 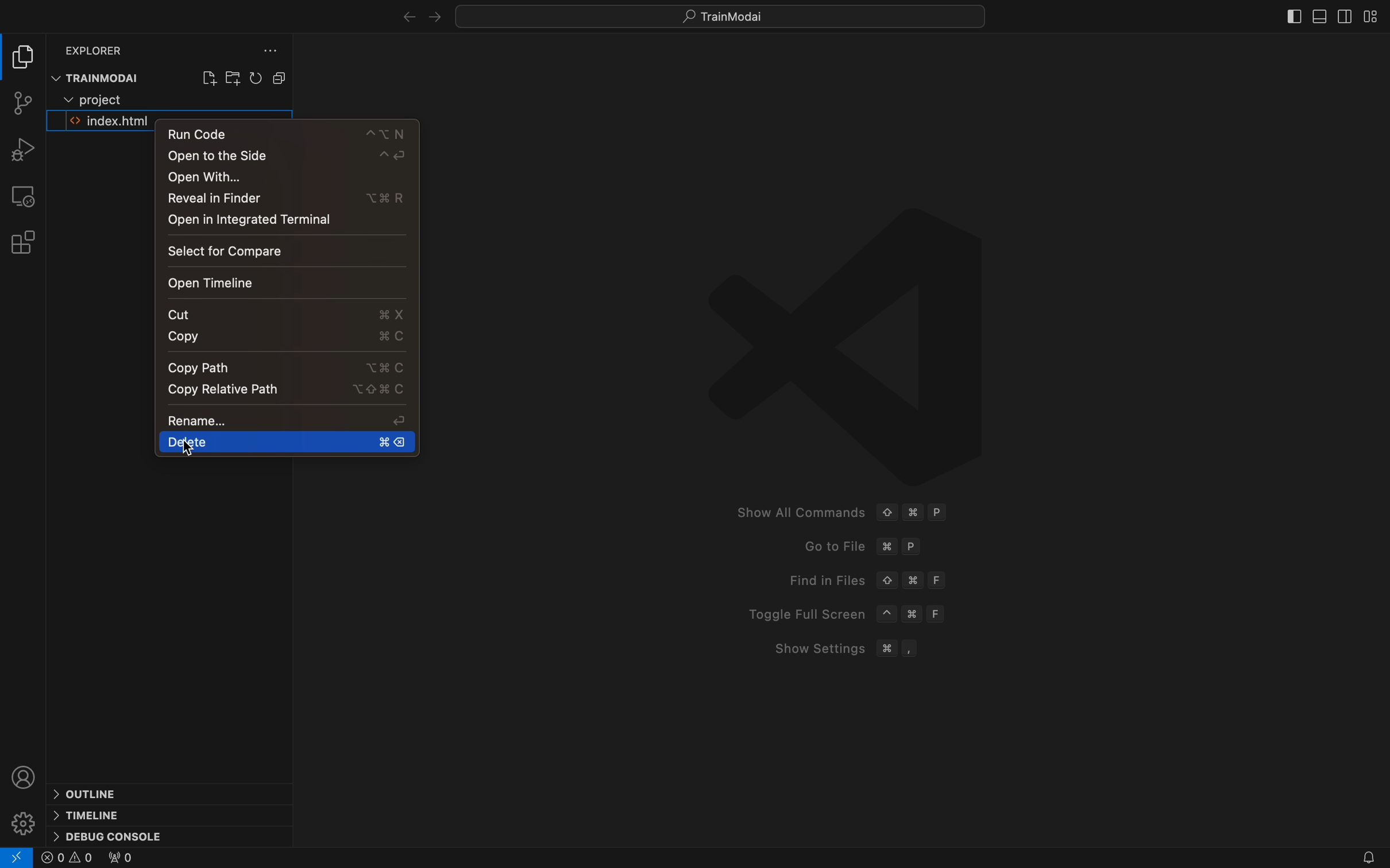 I want to click on reload, so click(x=258, y=77).